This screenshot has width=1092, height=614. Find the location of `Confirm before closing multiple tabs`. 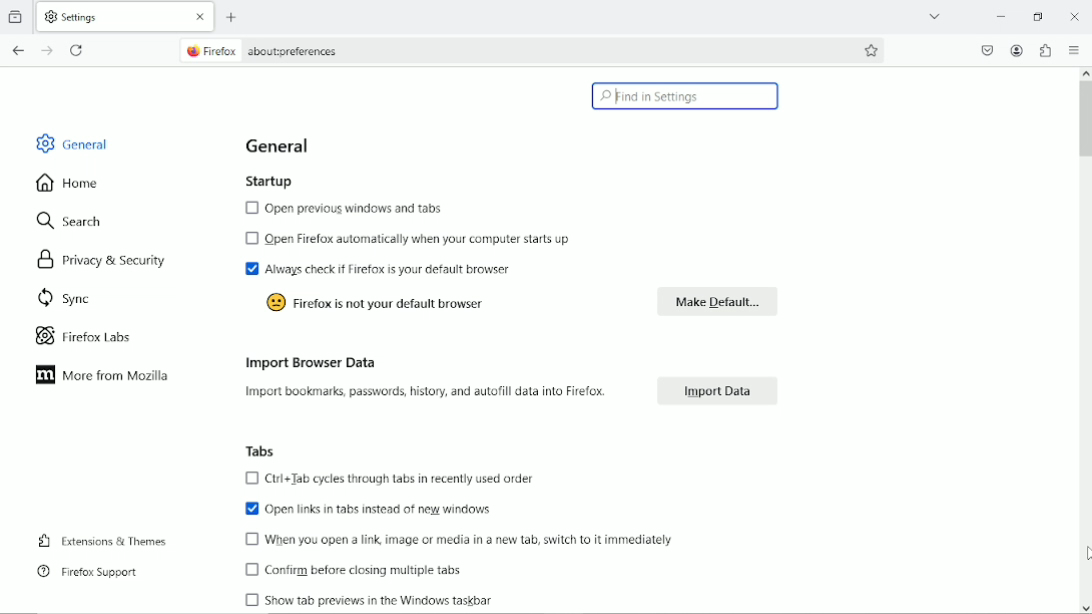

Confirm before closing multiple tabs is located at coordinates (353, 572).